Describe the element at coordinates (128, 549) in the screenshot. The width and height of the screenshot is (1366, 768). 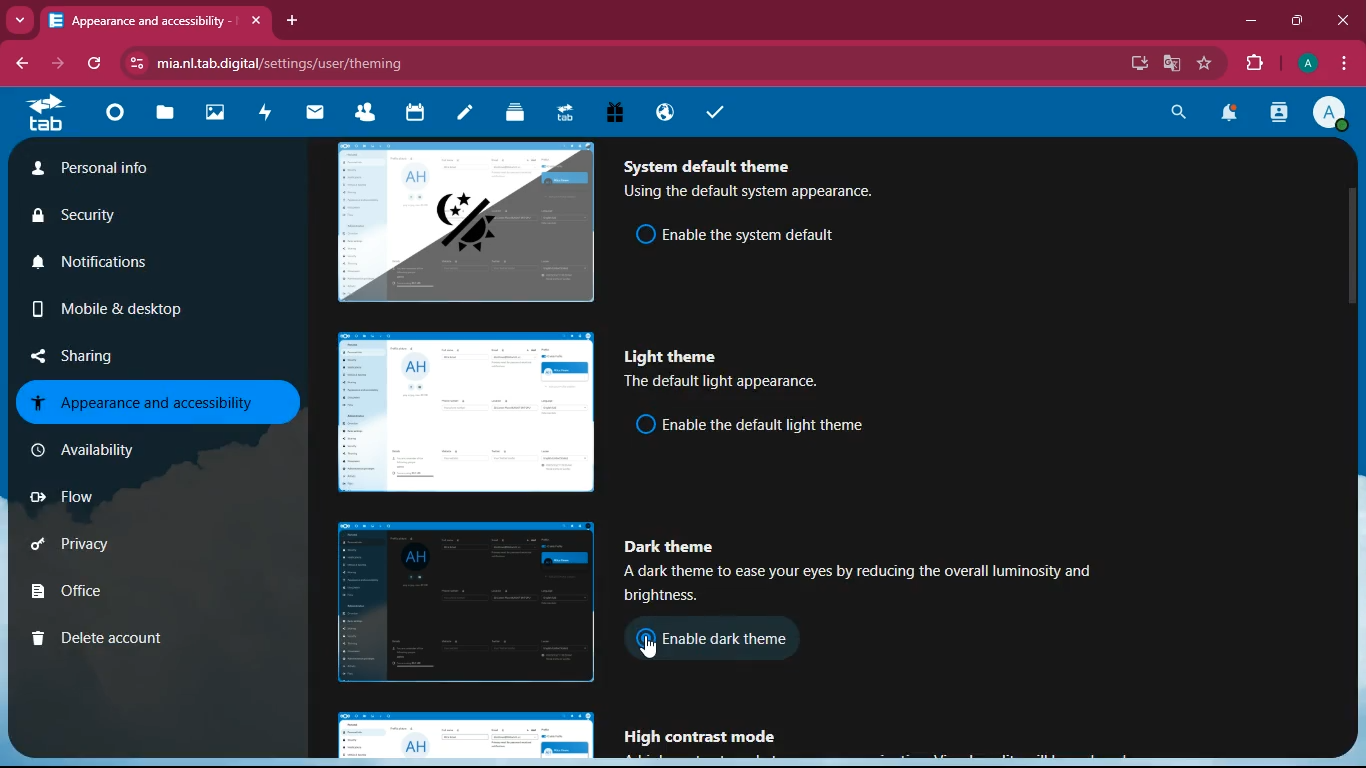
I see `privacy` at that location.